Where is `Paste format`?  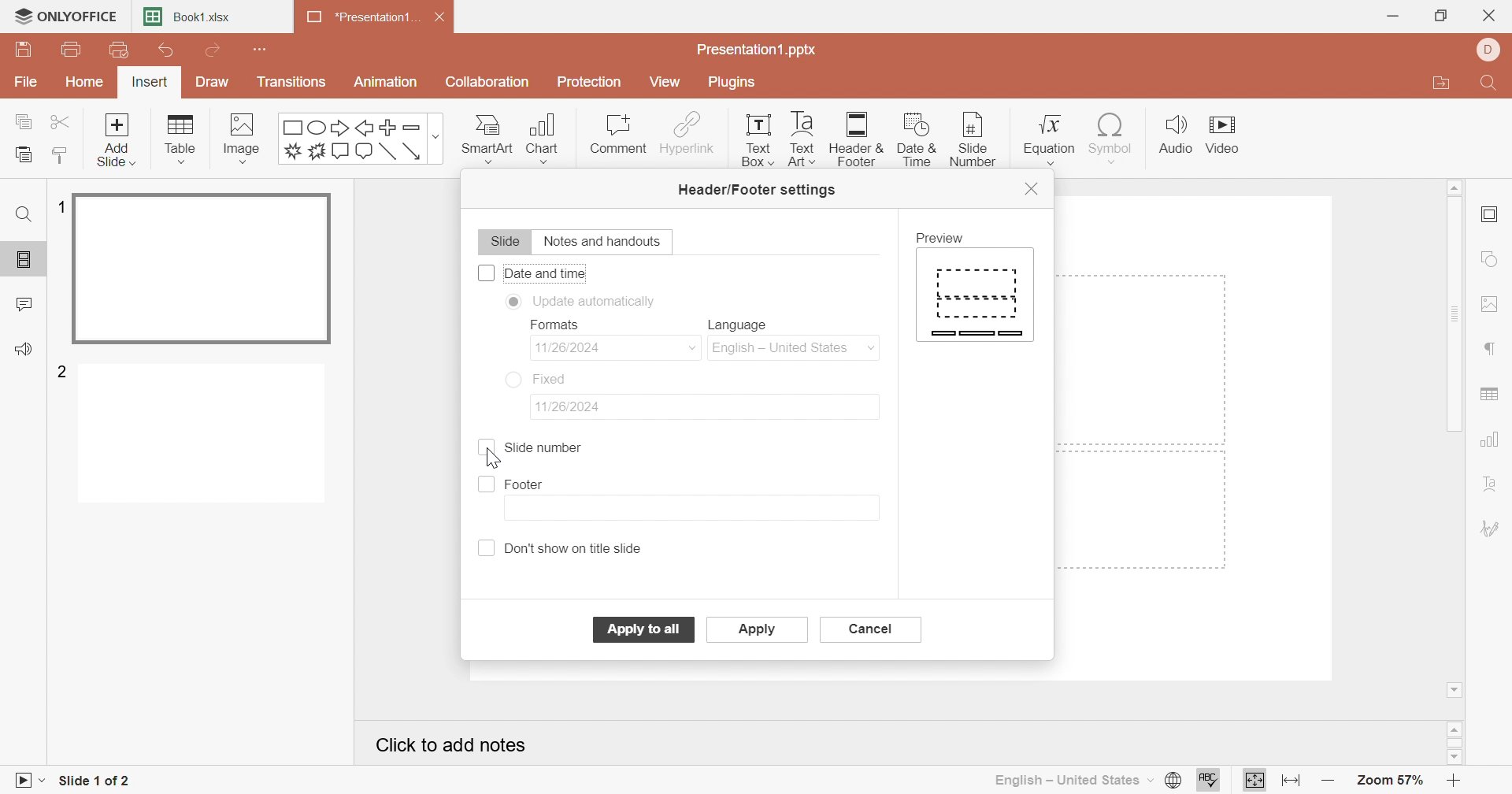
Paste format is located at coordinates (58, 154).